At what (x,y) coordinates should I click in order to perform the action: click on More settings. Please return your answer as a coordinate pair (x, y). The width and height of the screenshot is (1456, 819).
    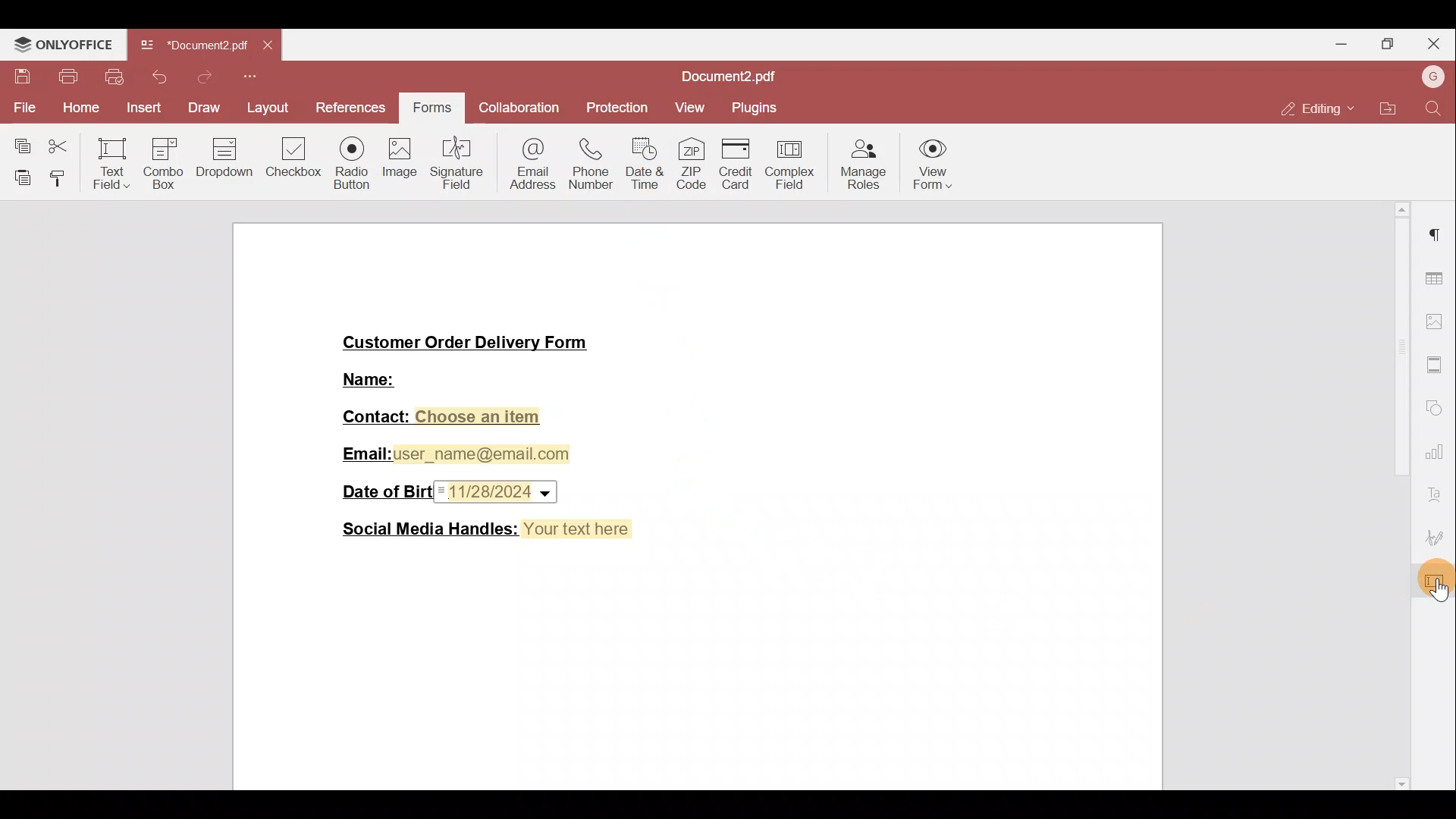
    Looking at the image, I should click on (1436, 365).